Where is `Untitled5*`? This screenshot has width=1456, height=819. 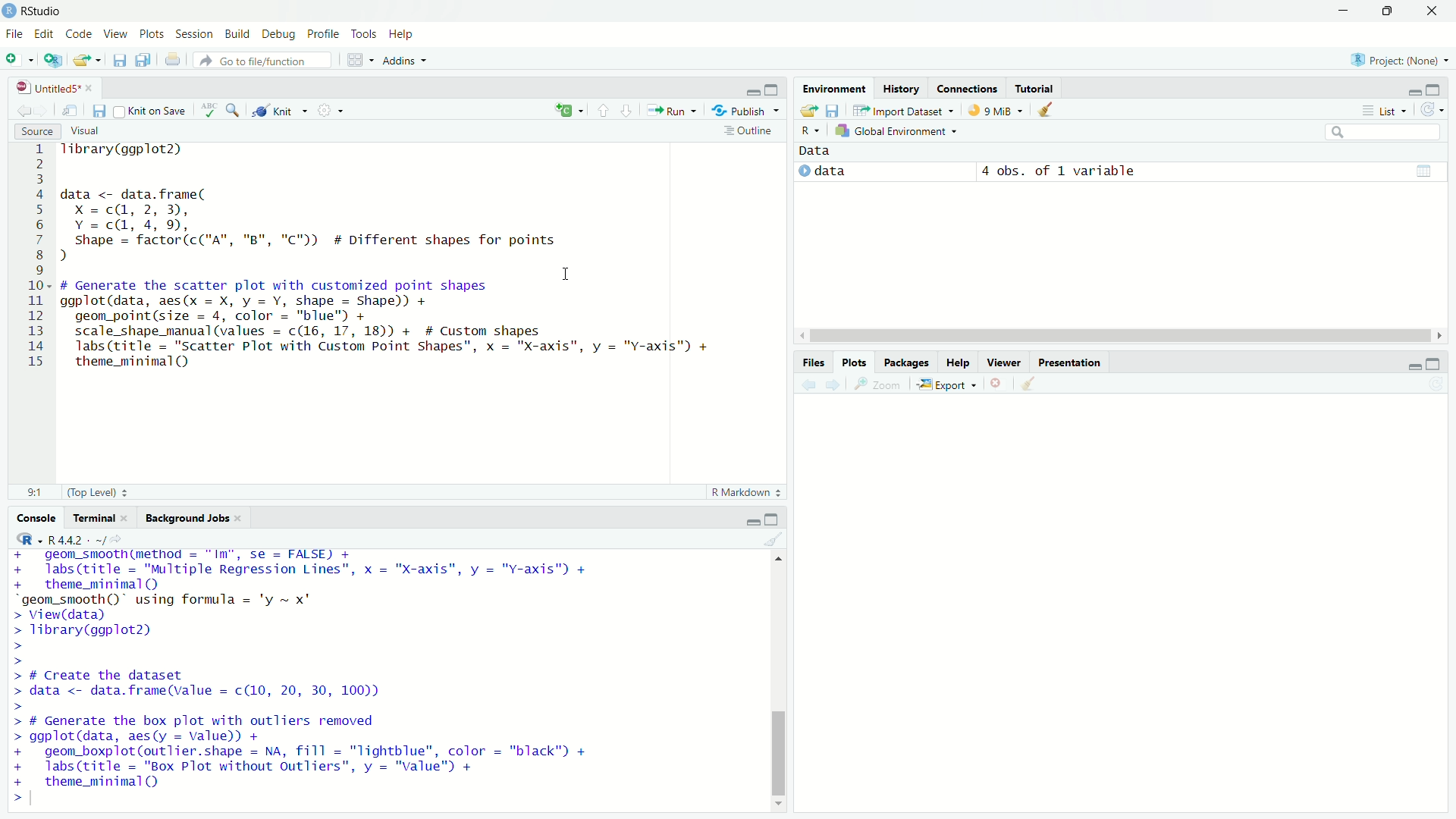 Untitled5* is located at coordinates (46, 88).